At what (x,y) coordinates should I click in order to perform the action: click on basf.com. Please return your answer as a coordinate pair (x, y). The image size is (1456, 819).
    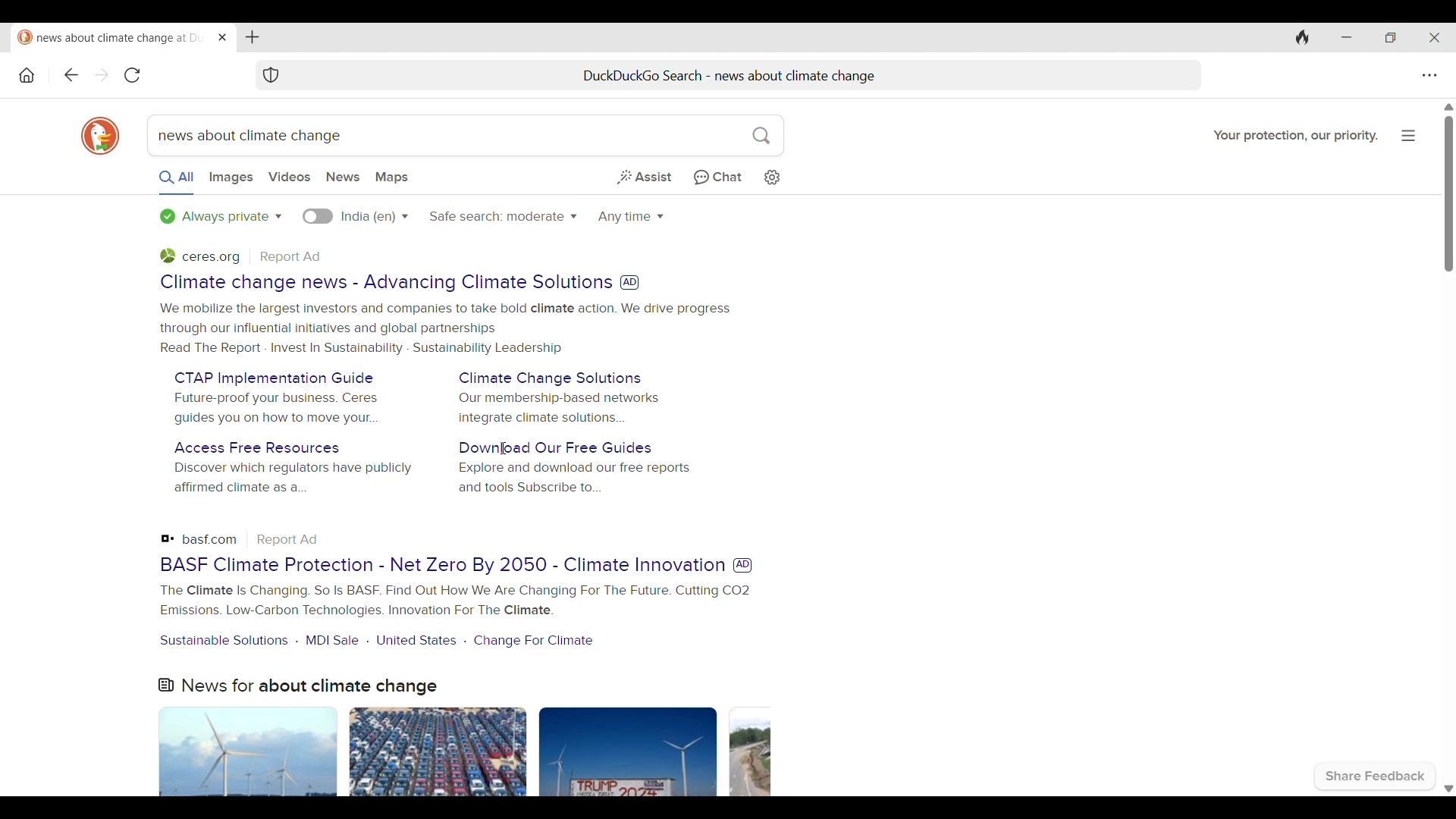
    Looking at the image, I should click on (199, 538).